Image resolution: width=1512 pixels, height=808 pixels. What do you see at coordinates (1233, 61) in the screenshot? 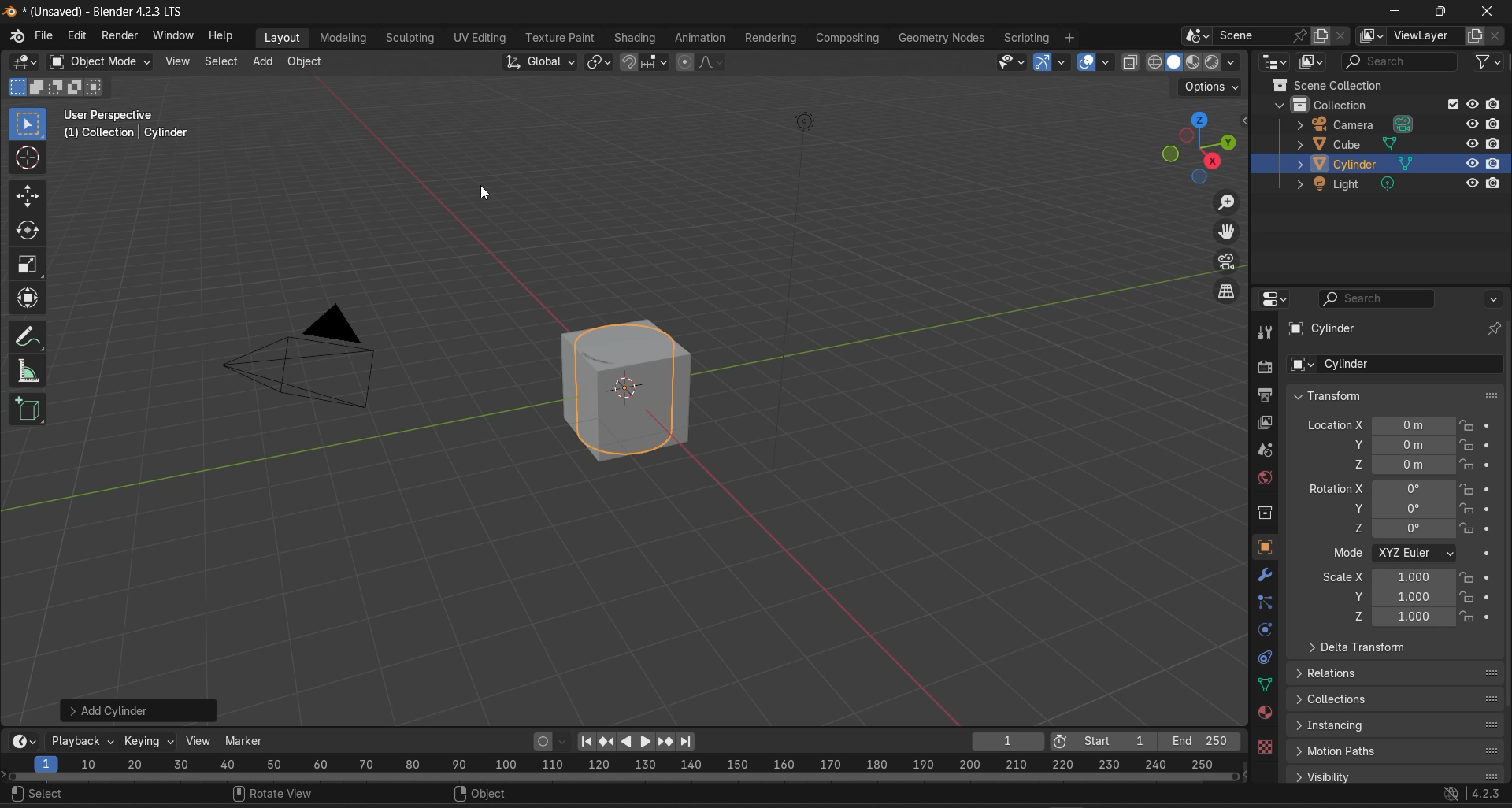
I see `shading` at bounding box center [1233, 61].